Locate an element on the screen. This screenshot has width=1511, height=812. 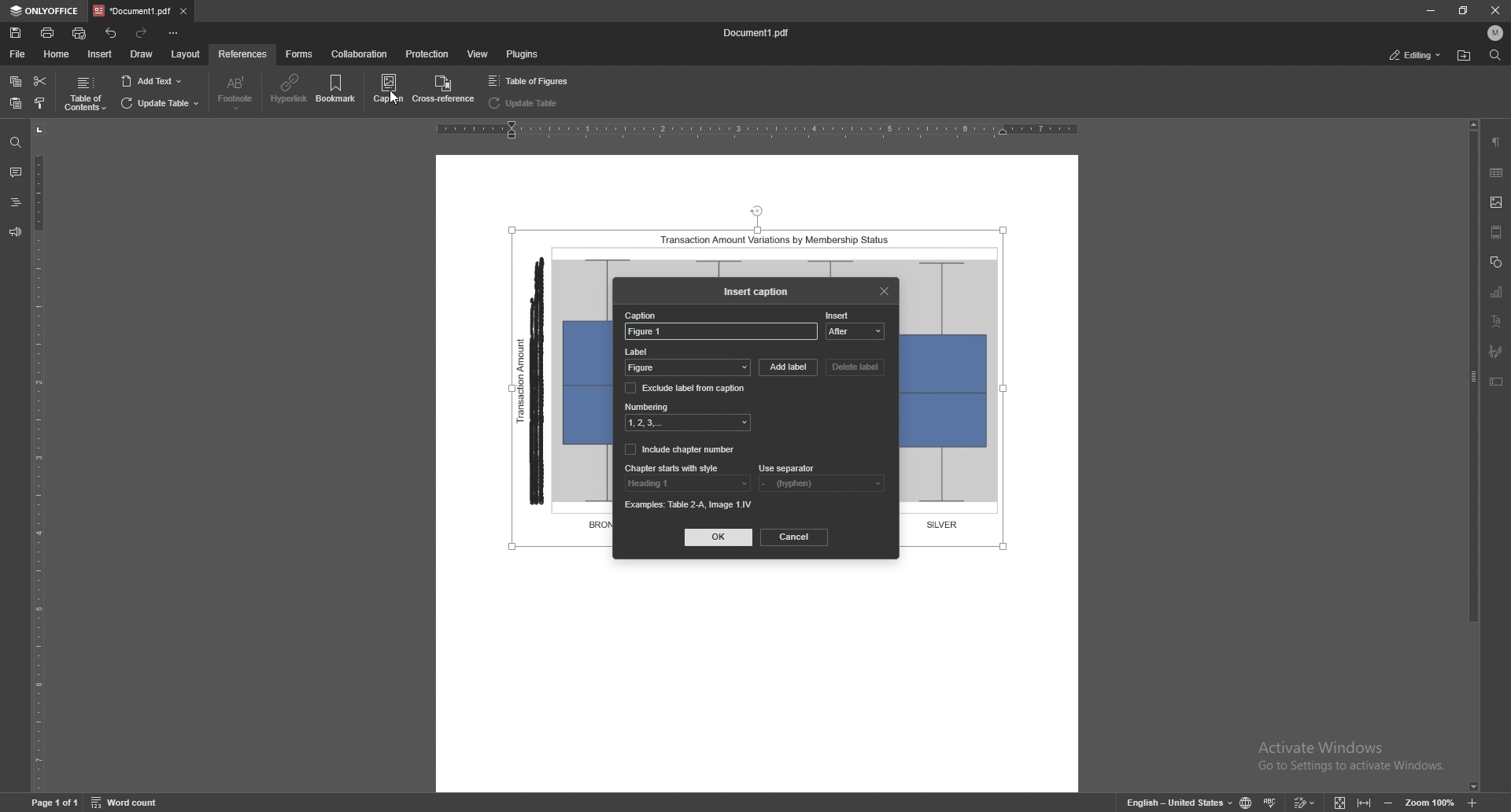
close is located at coordinates (886, 290).